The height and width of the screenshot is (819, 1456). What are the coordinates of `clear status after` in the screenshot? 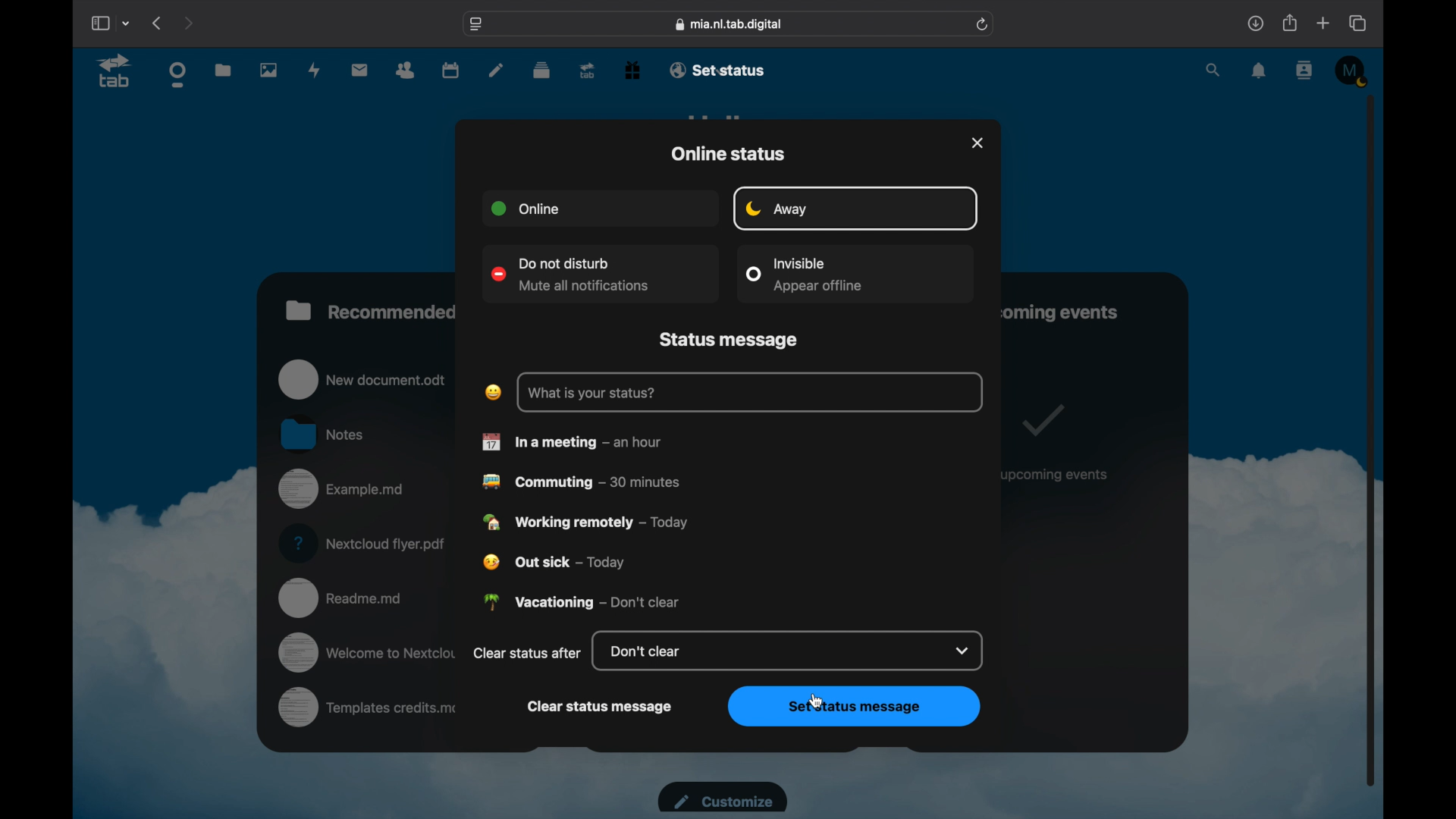 It's located at (527, 652).